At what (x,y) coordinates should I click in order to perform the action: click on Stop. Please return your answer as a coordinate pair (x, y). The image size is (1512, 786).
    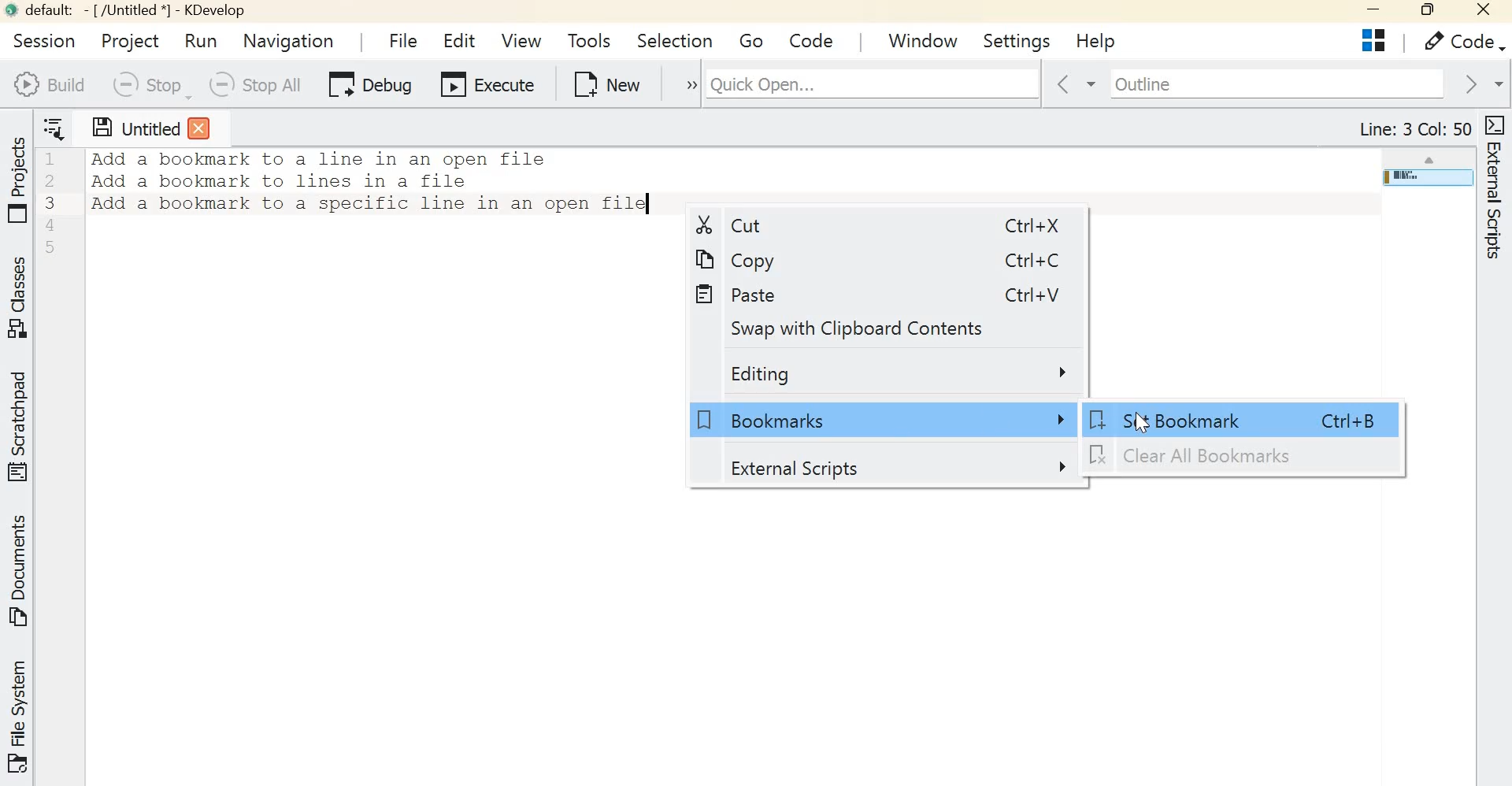
    Looking at the image, I should click on (149, 85).